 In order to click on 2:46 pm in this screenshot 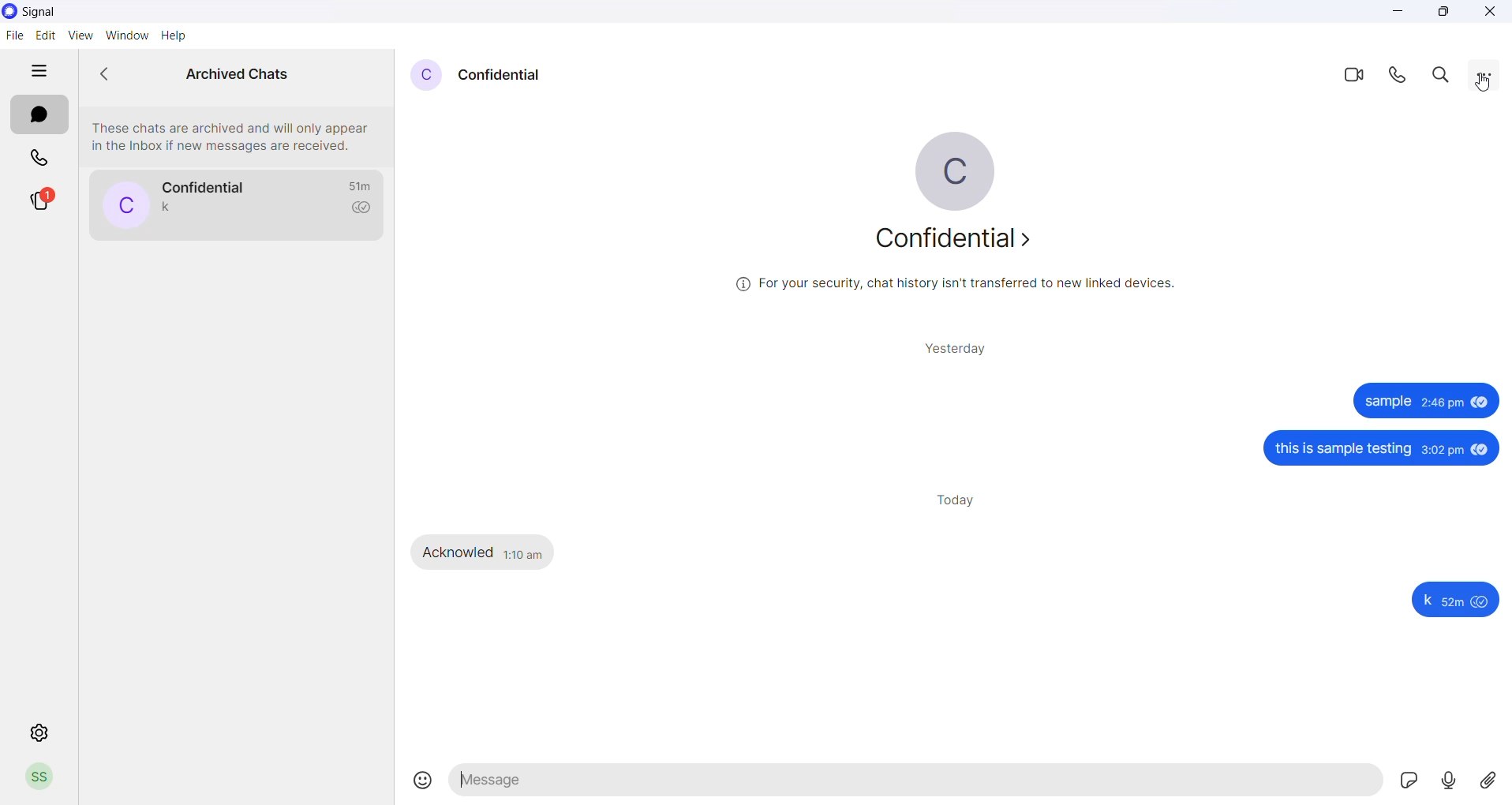, I will do `click(1442, 402)`.